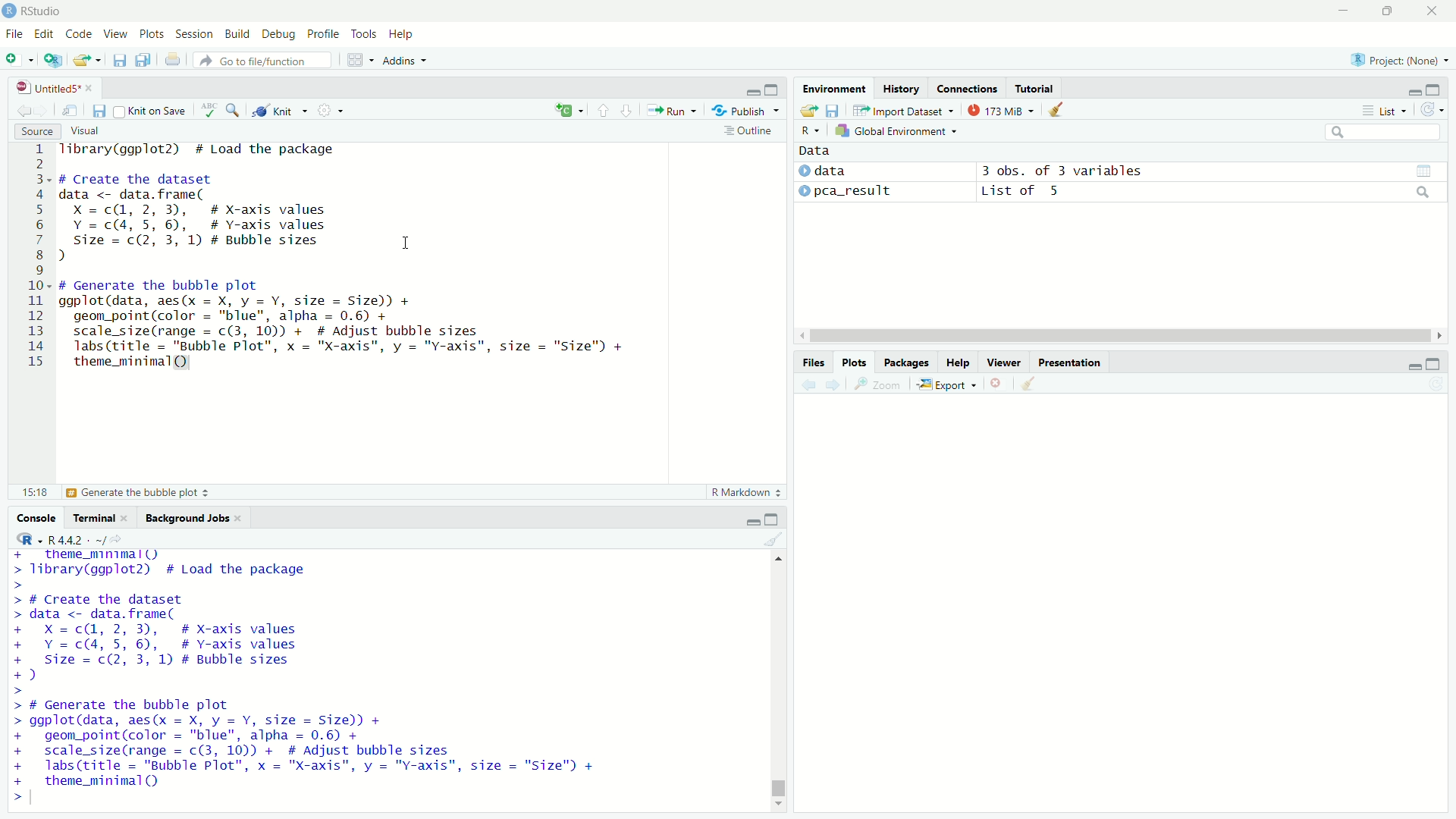  I want to click on R language version : R4.4.2, so click(85, 539).